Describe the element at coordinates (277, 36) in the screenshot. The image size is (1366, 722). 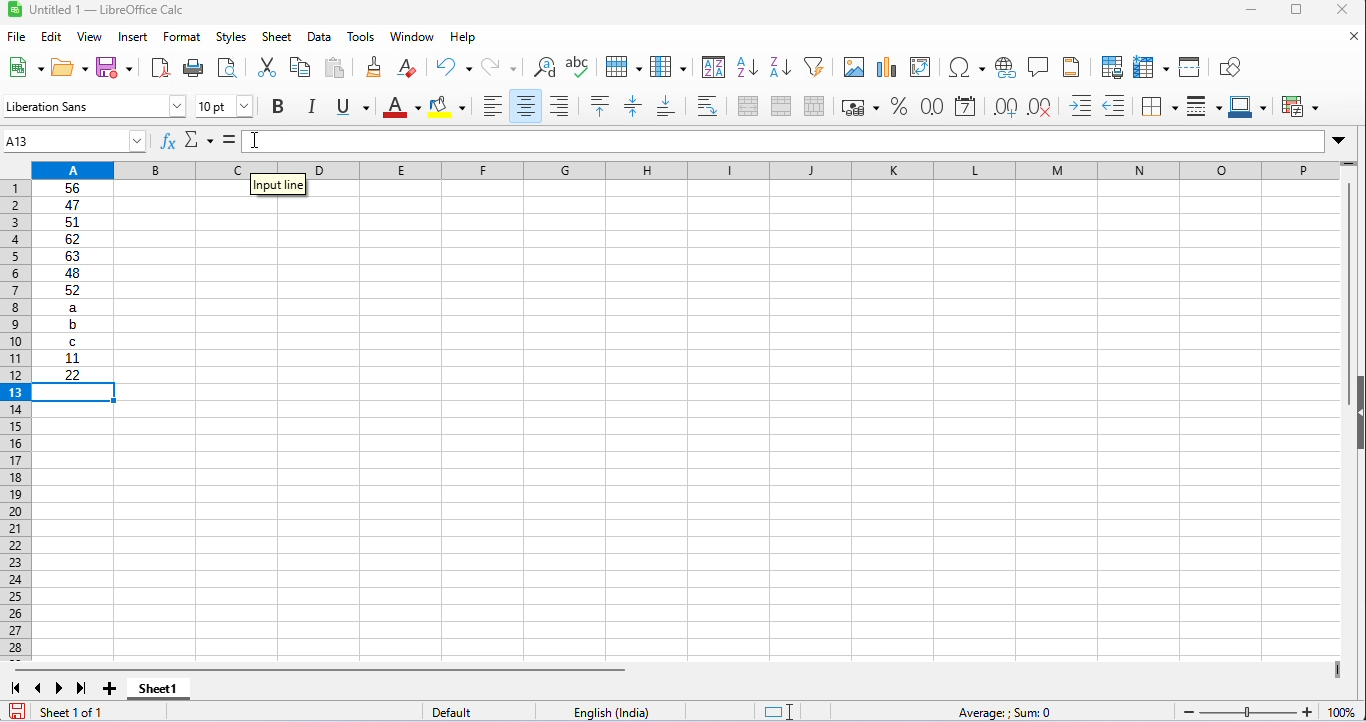
I see `sheet` at that location.